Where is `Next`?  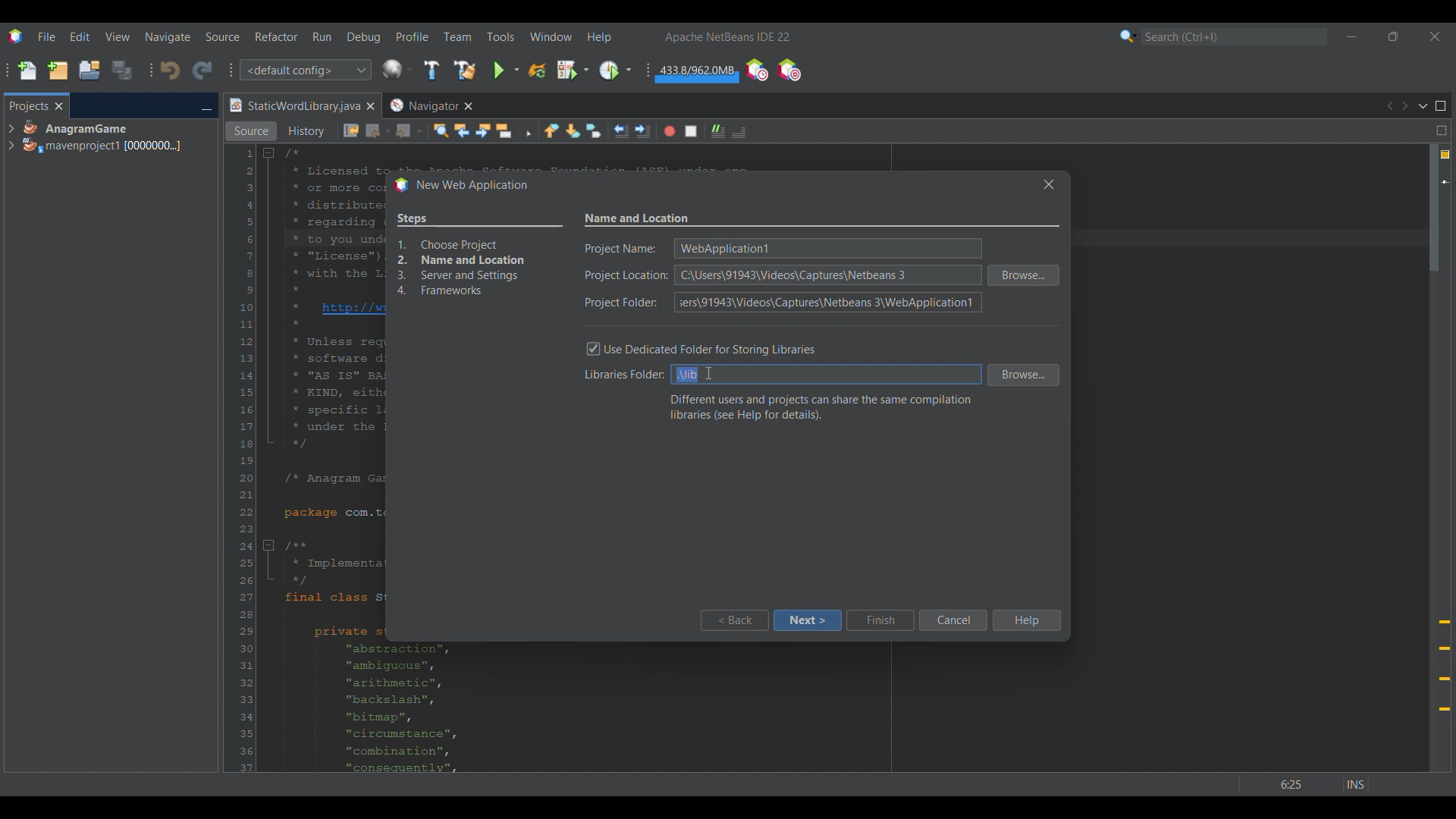 Next is located at coordinates (1404, 106).